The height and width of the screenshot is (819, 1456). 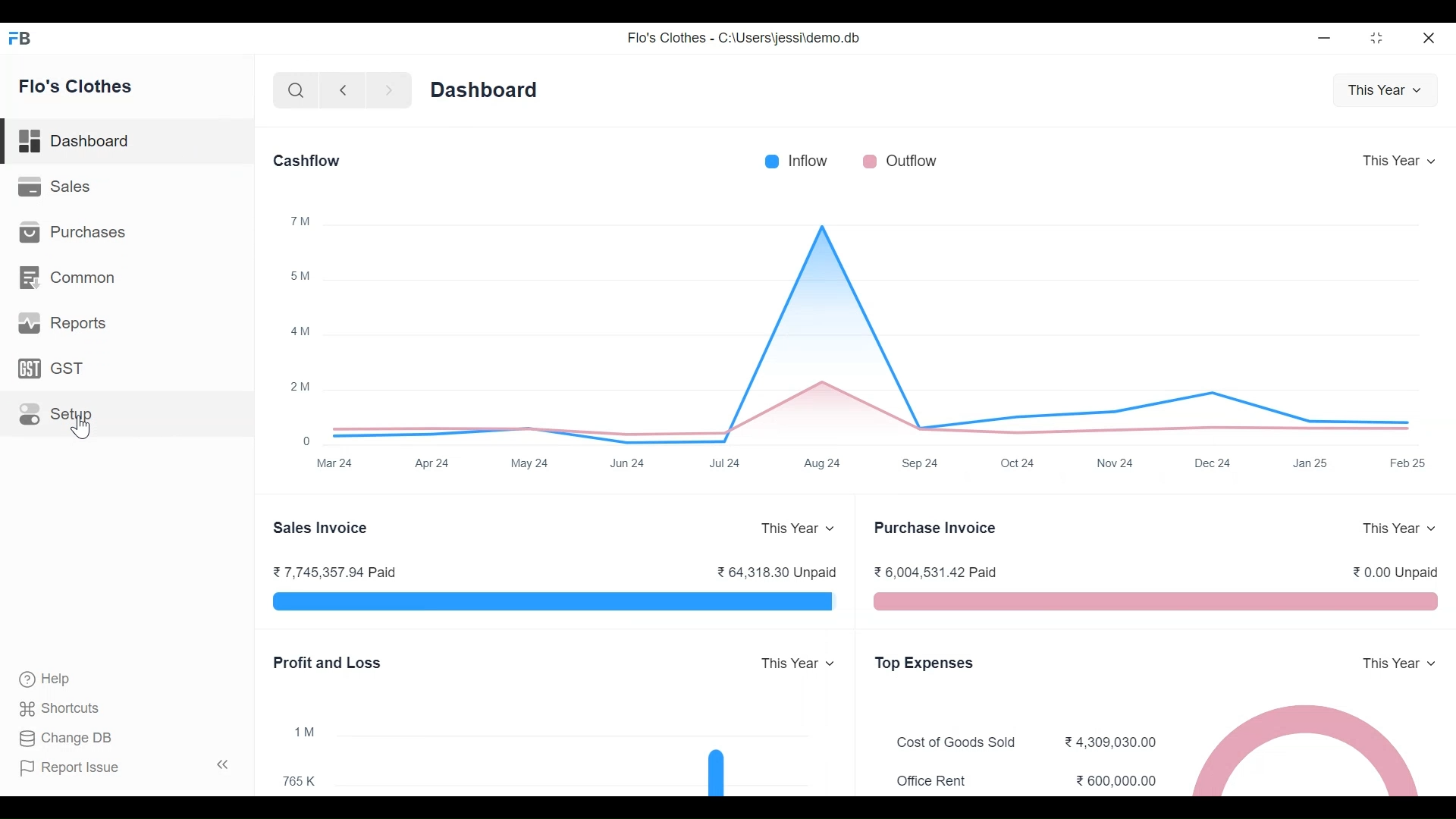 I want to click on graph, so click(x=871, y=329).